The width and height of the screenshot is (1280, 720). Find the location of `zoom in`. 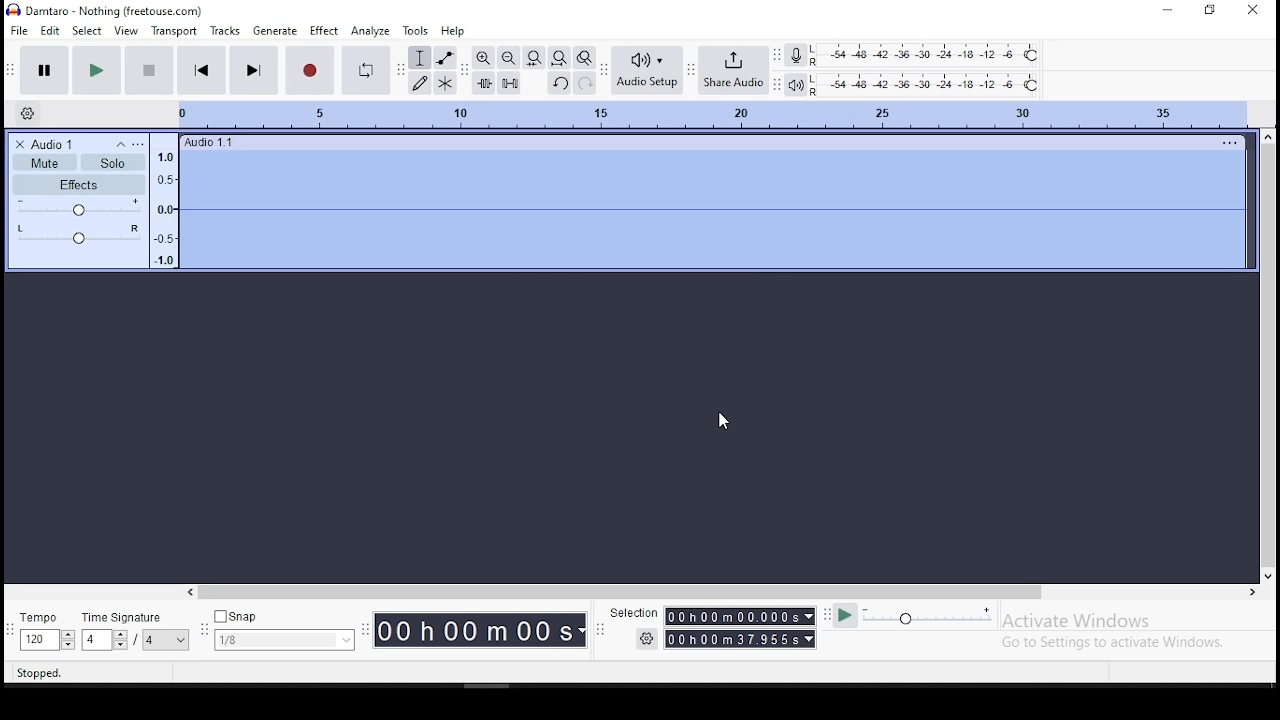

zoom in is located at coordinates (484, 57).